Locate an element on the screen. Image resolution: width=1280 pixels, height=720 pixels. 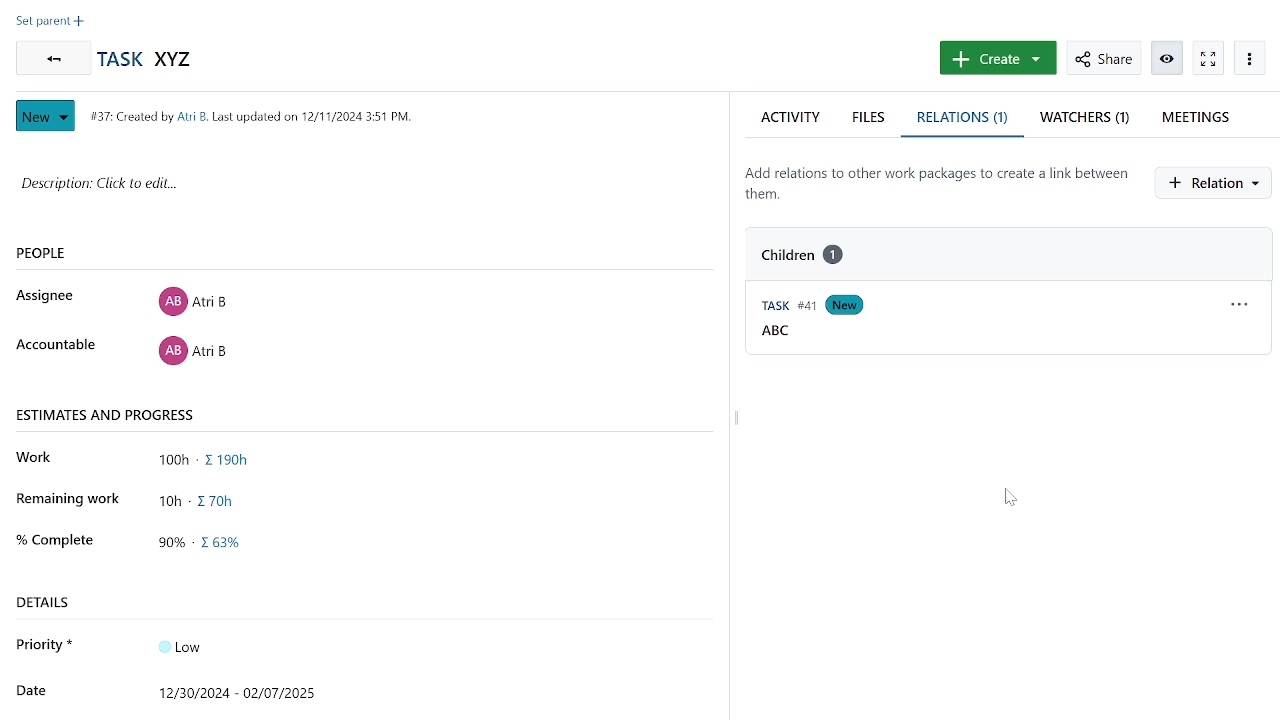
remaining work is located at coordinates (69, 498).